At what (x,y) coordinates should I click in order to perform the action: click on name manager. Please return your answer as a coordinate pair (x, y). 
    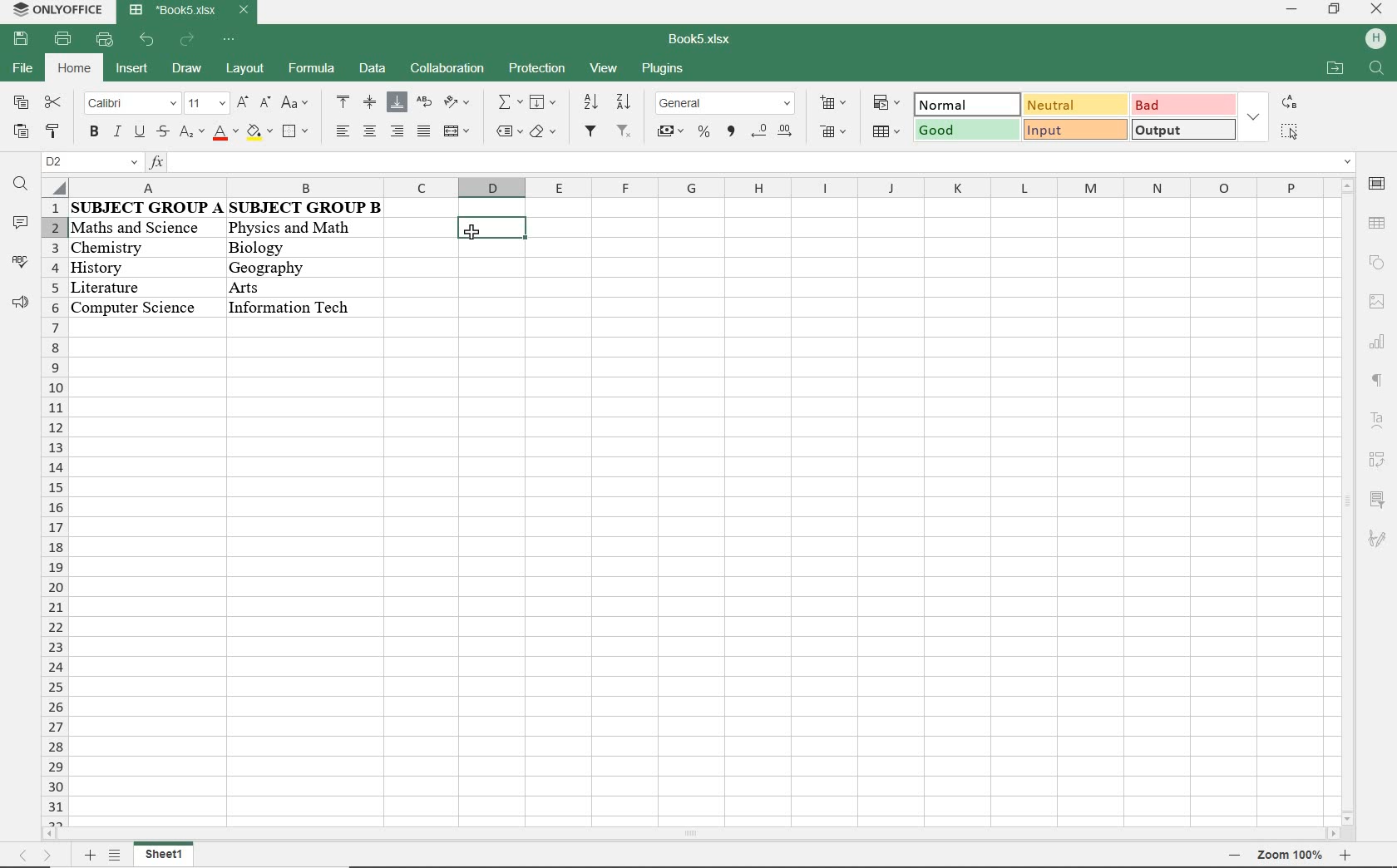
    Looking at the image, I should click on (91, 162).